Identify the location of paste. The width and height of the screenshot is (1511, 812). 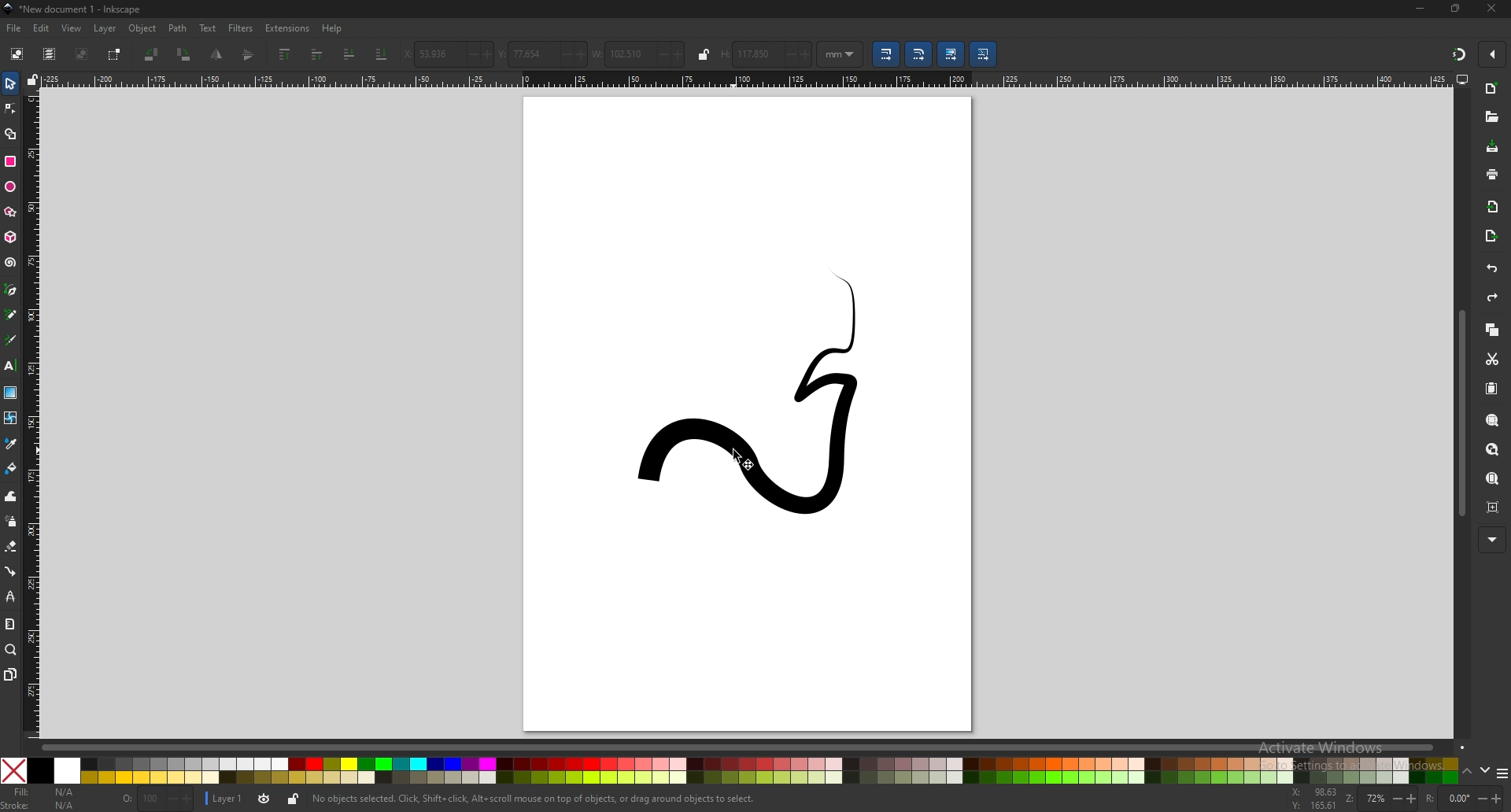
(1493, 389).